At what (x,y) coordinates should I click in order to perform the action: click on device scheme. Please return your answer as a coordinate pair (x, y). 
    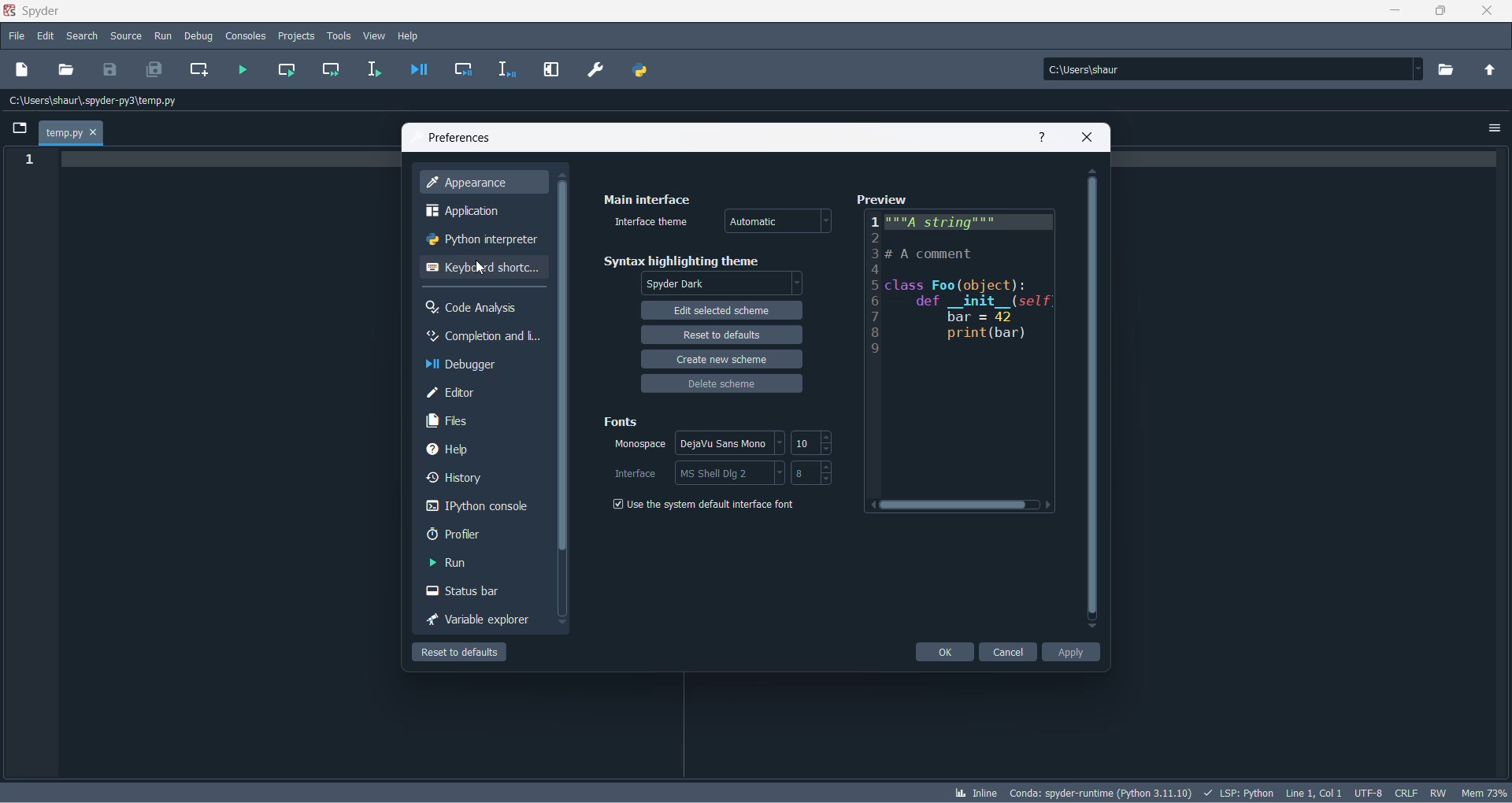
    Looking at the image, I should click on (721, 388).